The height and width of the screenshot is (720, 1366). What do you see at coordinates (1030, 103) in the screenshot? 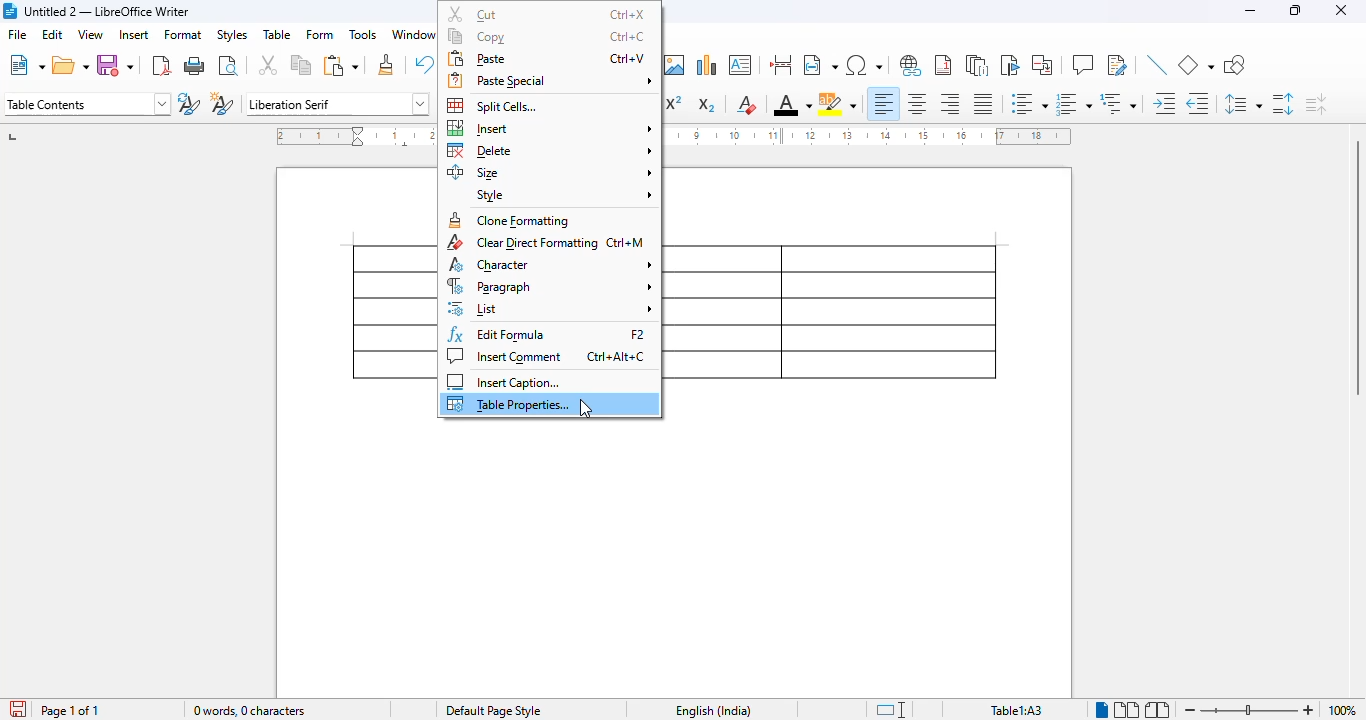
I see `toggle unordered list` at bounding box center [1030, 103].